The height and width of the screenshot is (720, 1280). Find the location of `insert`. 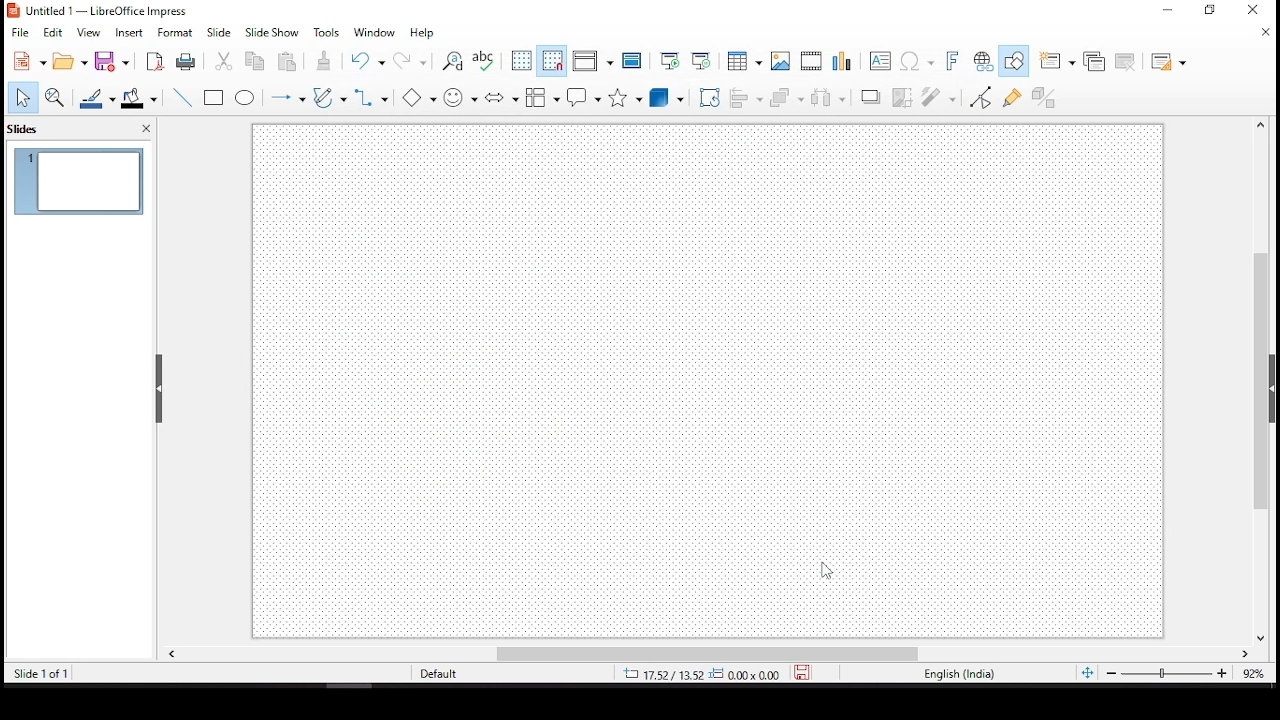

insert is located at coordinates (128, 33).